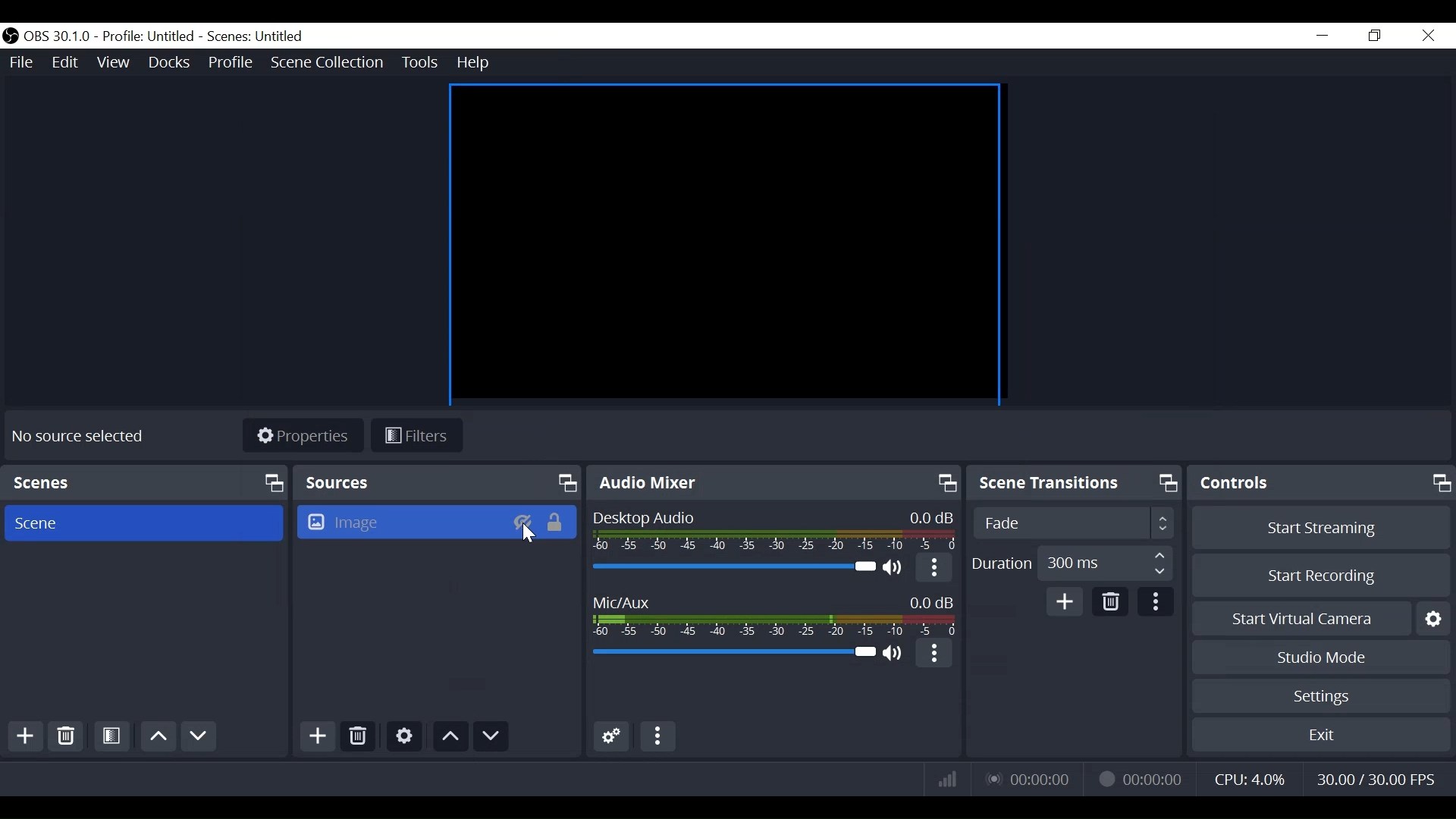 Image resolution: width=1456 pixels, height=819 pixels. Describe the element at coordinates (1429, 36) in the screenshot. I see `Close` at that location.